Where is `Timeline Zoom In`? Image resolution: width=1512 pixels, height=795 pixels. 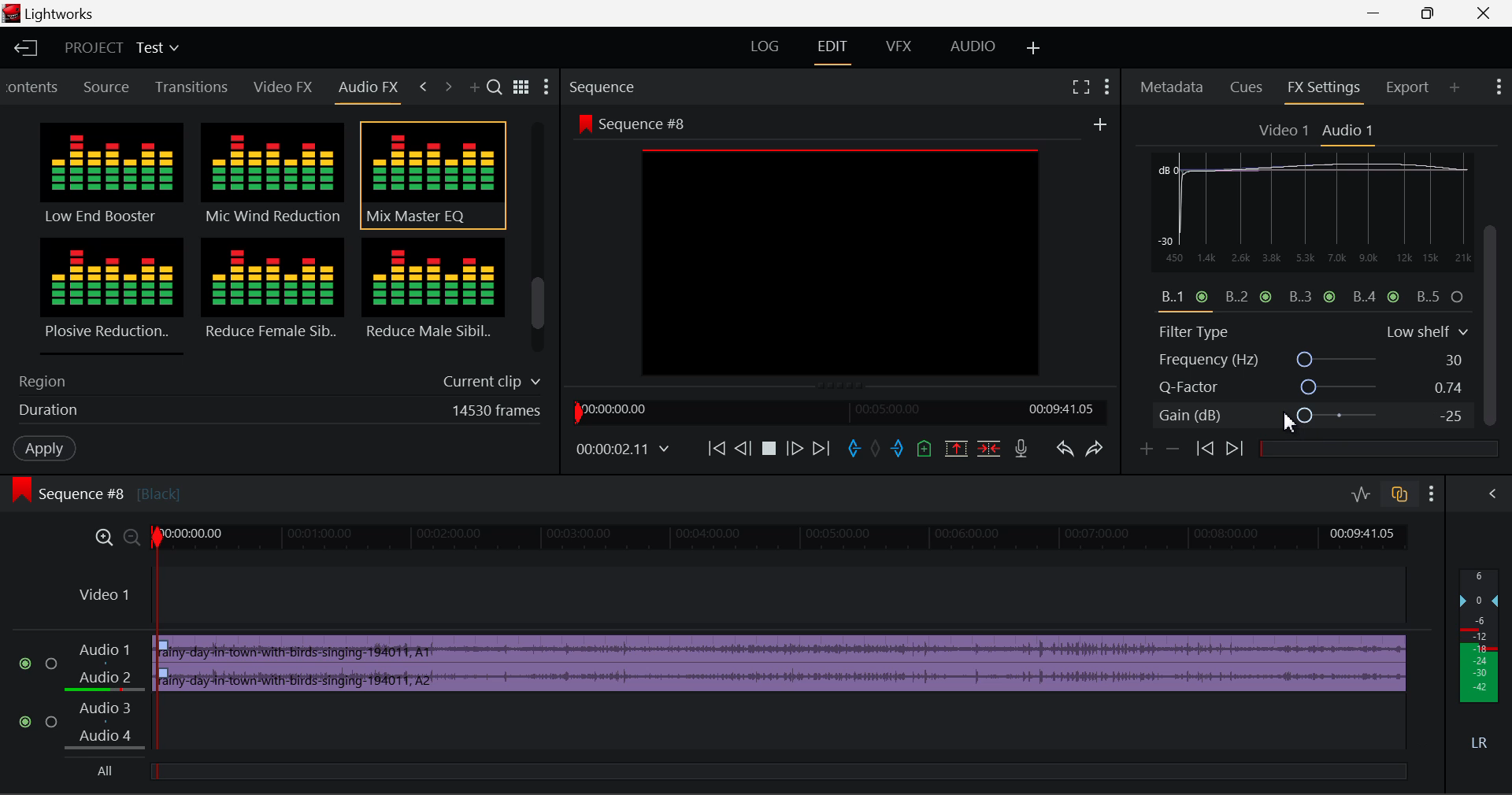 Timeline Zoom In is located at coordinates (106, 538).